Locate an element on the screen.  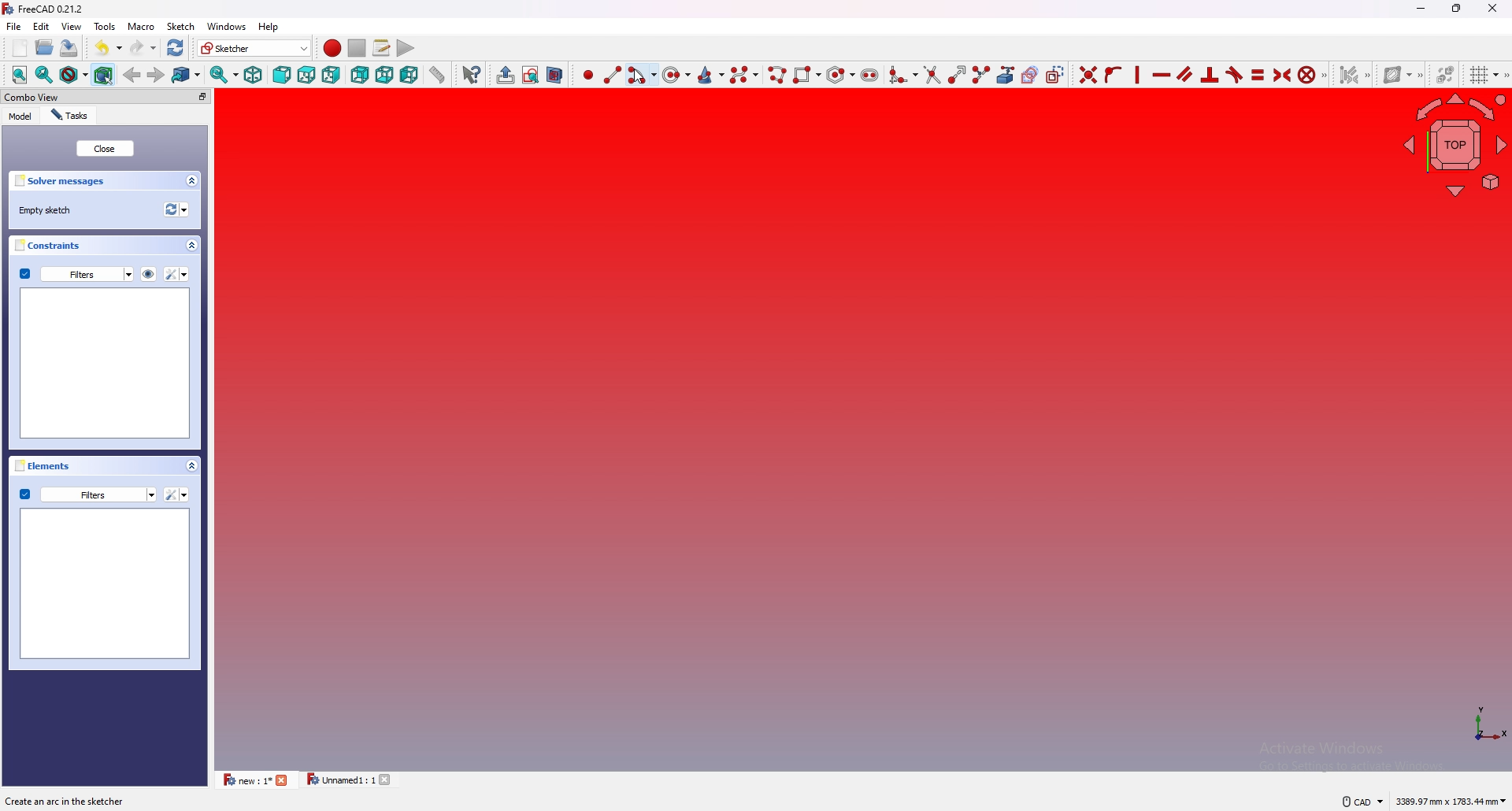
collapse is located at coordinates (191, 465).